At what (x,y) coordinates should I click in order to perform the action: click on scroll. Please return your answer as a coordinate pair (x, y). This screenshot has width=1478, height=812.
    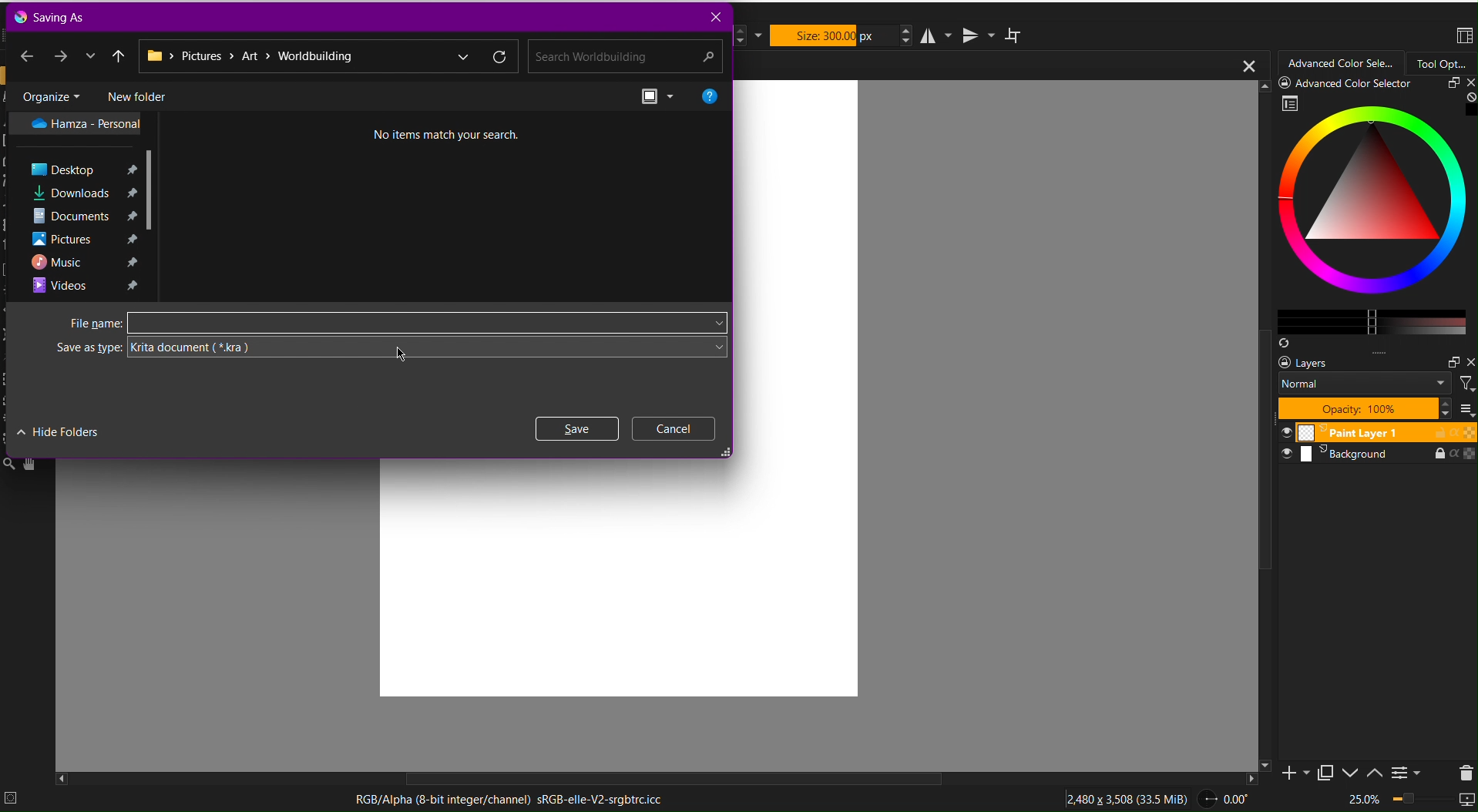
    Looking at the image, I should click on (668, 778).